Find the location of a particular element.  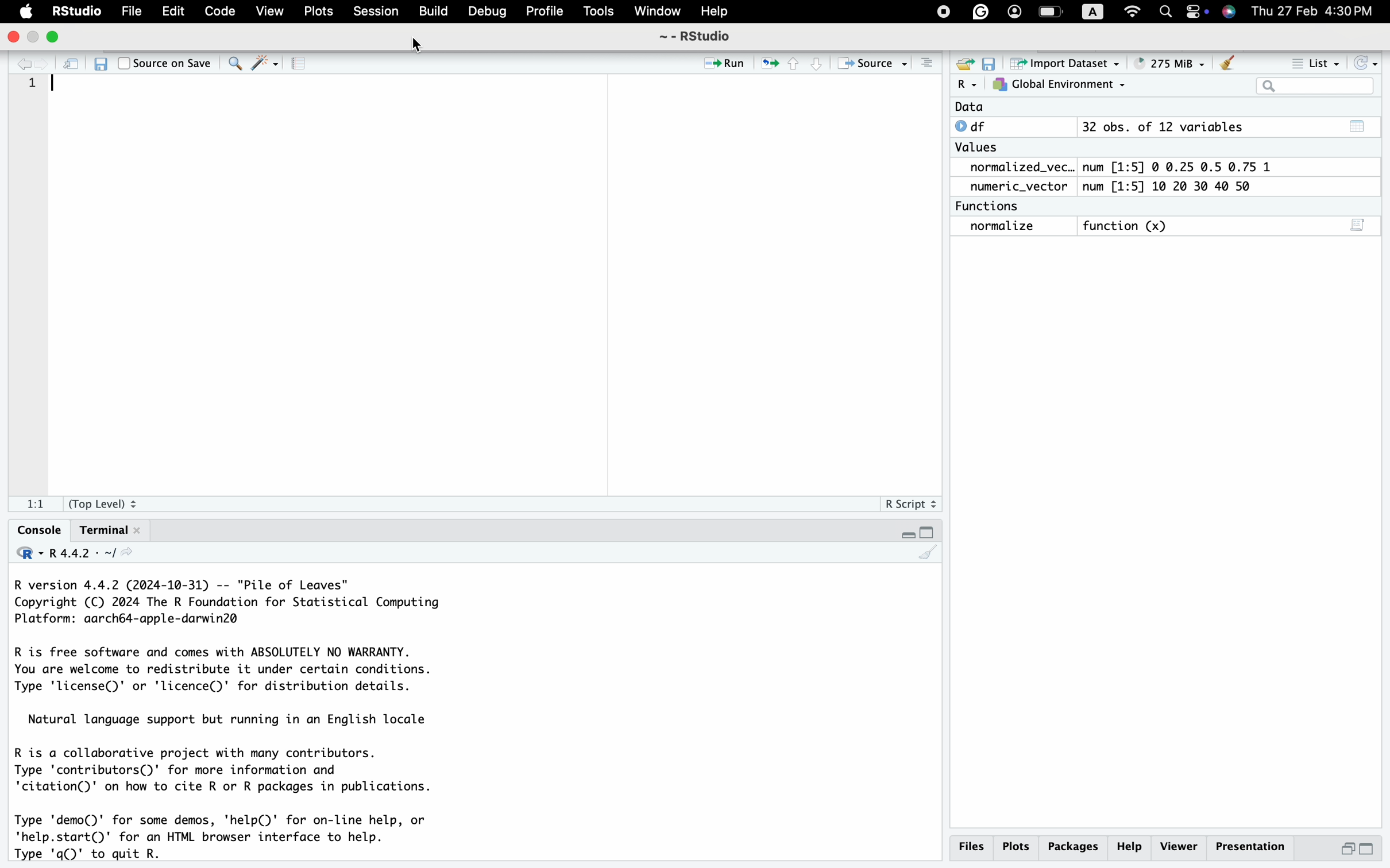

numeric_vector is located at coordinates (1016, 187).